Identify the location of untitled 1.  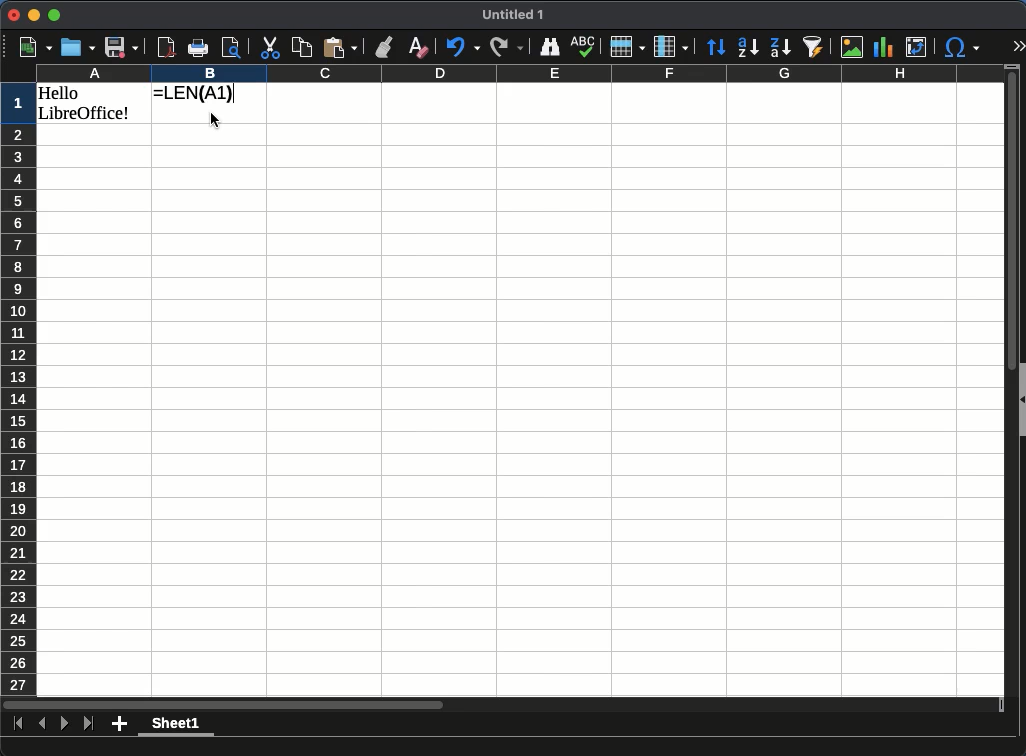
(514, 16).